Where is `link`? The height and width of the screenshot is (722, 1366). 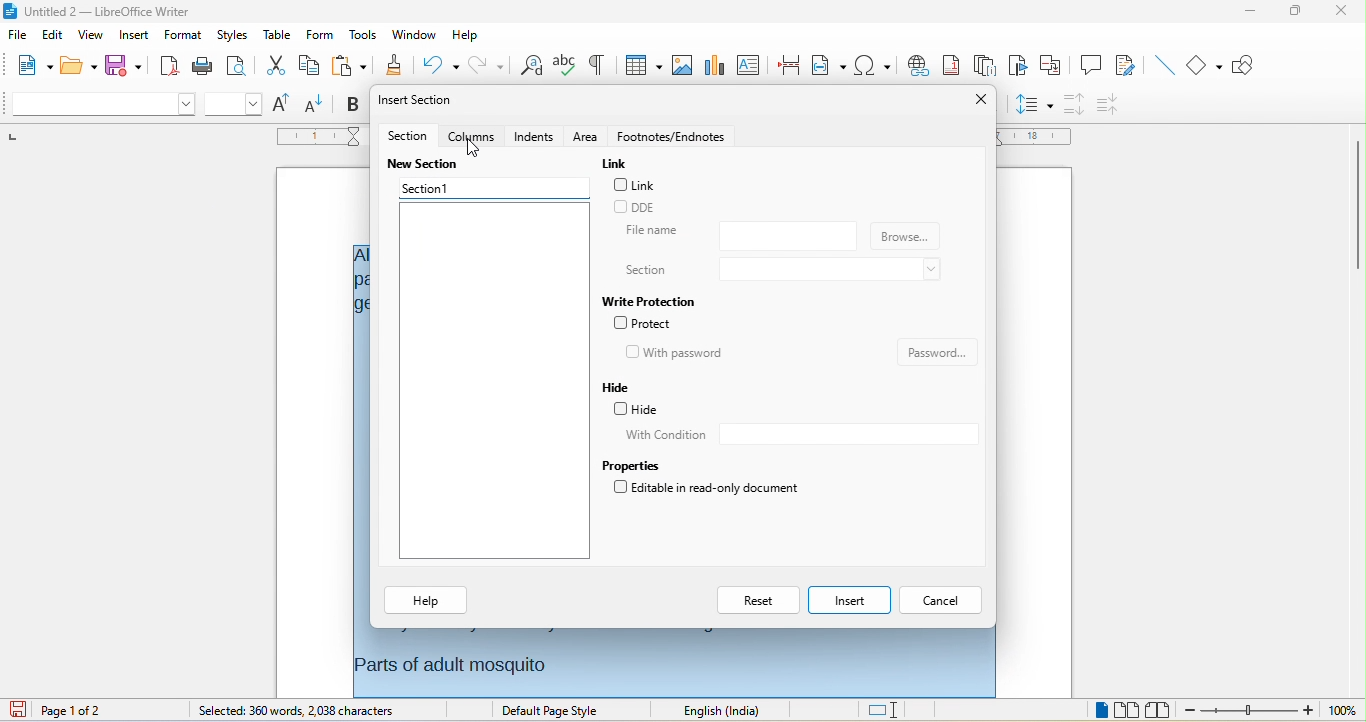 link is located at coordinates (613, 164).